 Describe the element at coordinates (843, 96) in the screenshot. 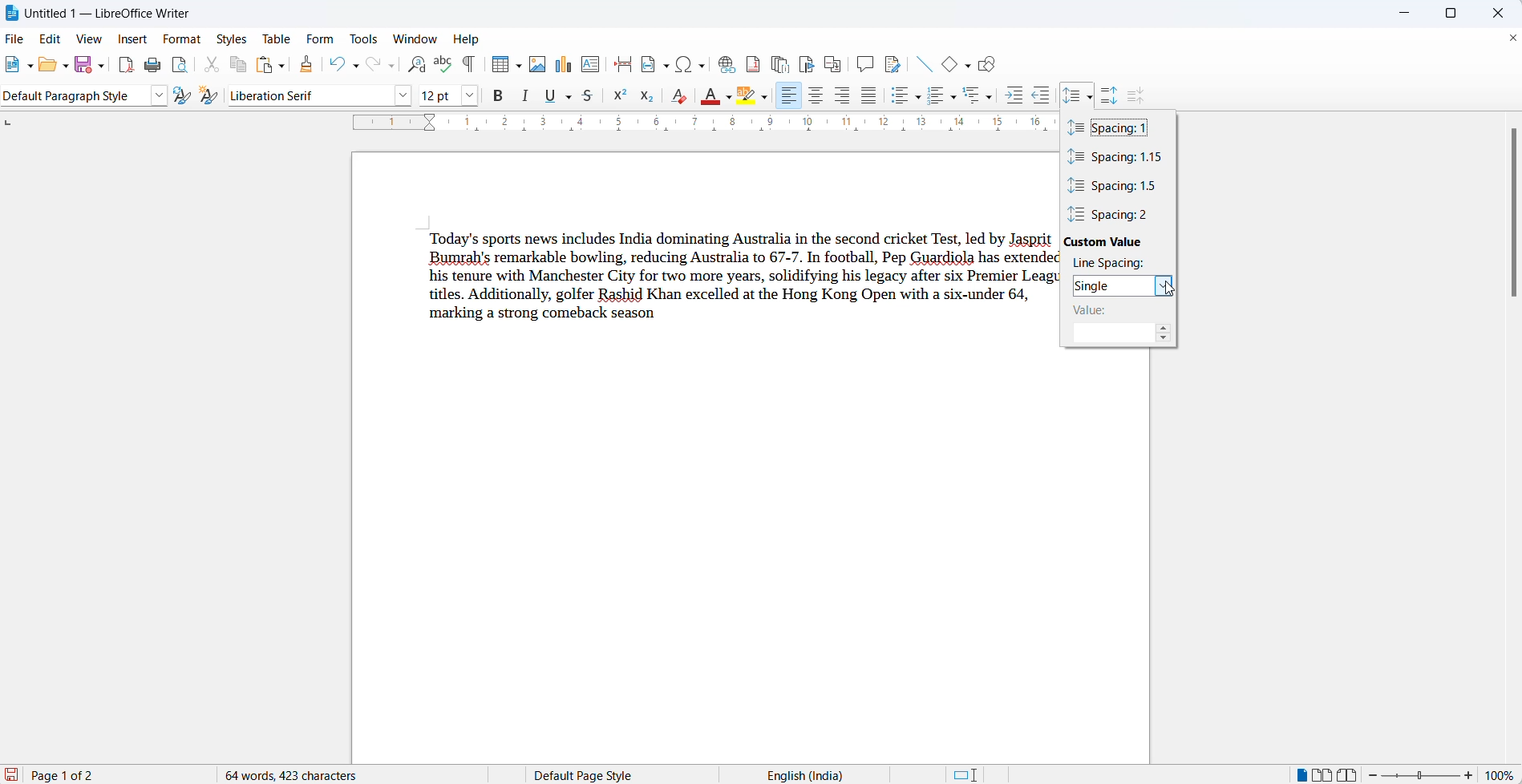

I see `text align right` at that location.